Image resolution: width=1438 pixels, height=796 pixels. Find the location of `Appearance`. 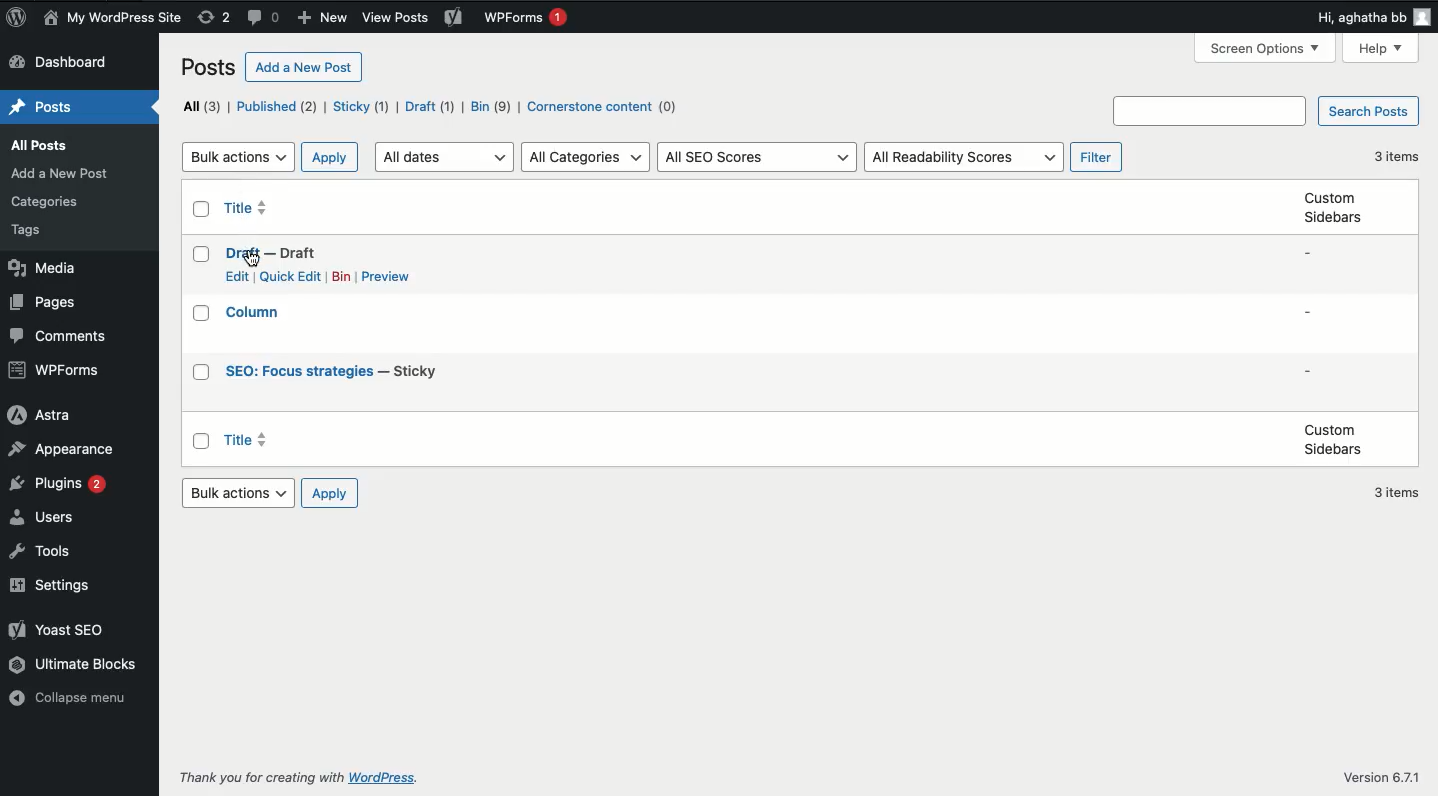

Appearance is located at coordinates (62, 446).